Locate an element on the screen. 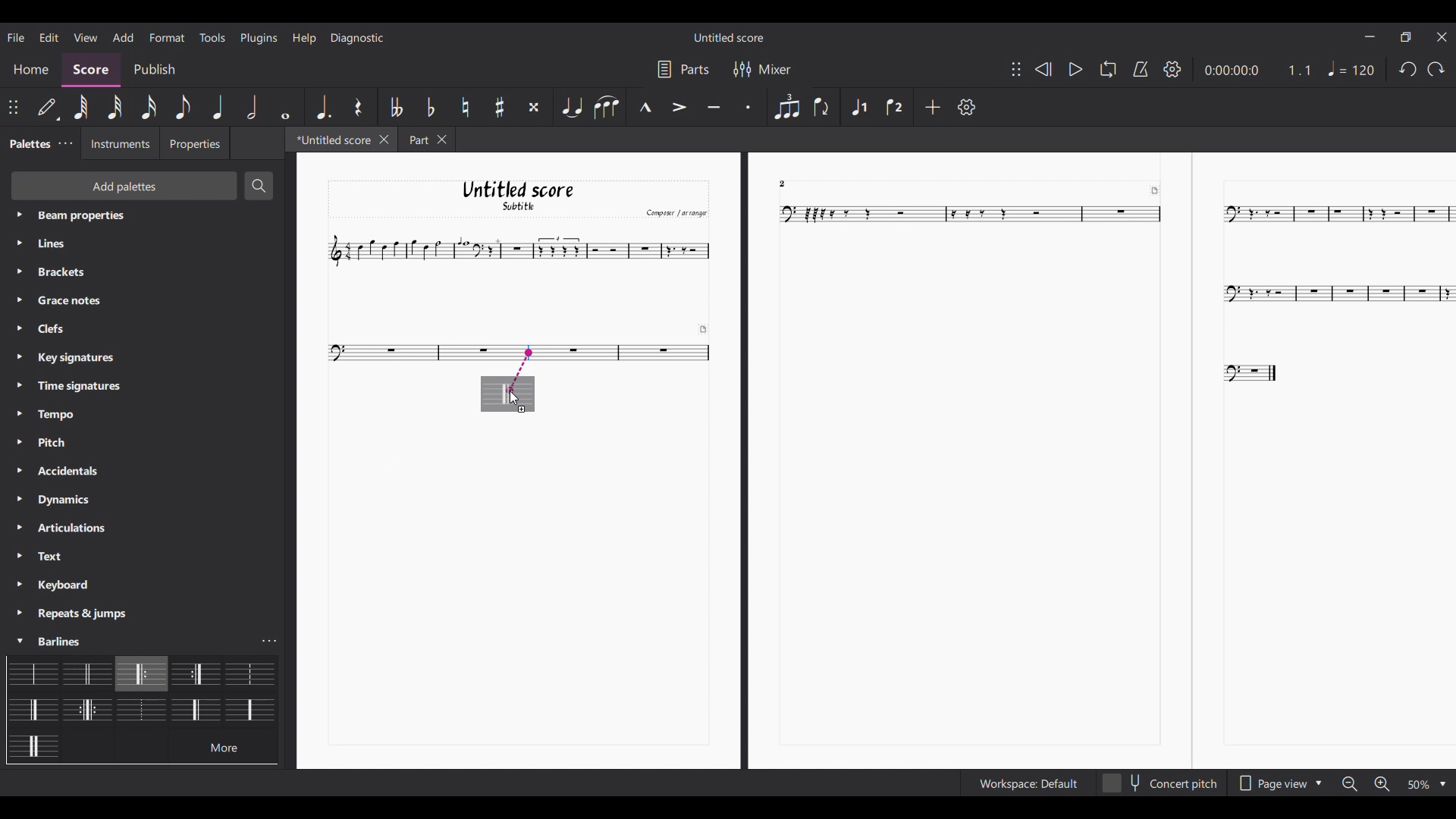  Toggle concert pitch is located at coordinates (1160, 783).